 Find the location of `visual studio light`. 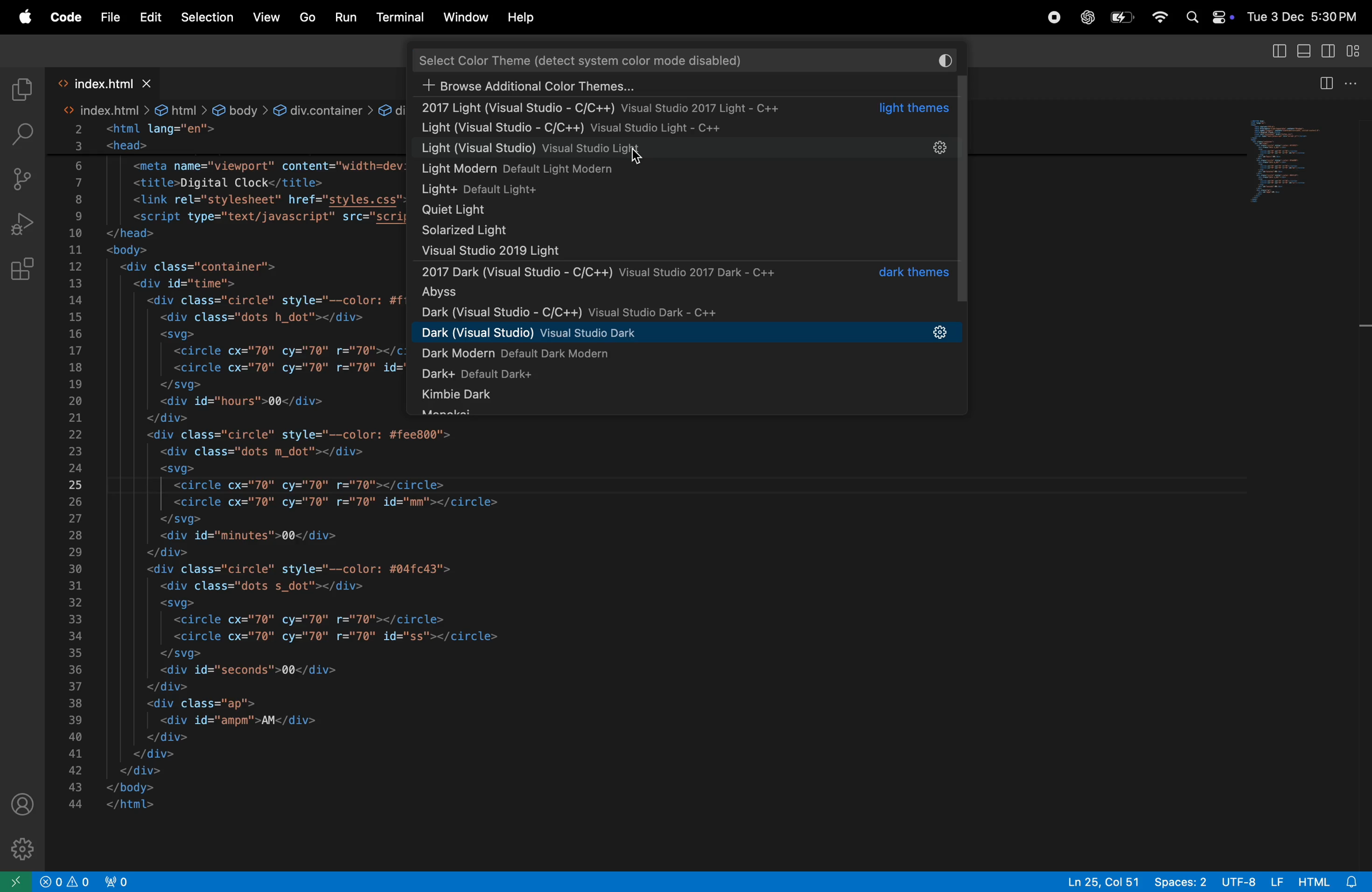

visual studio light is located at coordinates (680, 251).